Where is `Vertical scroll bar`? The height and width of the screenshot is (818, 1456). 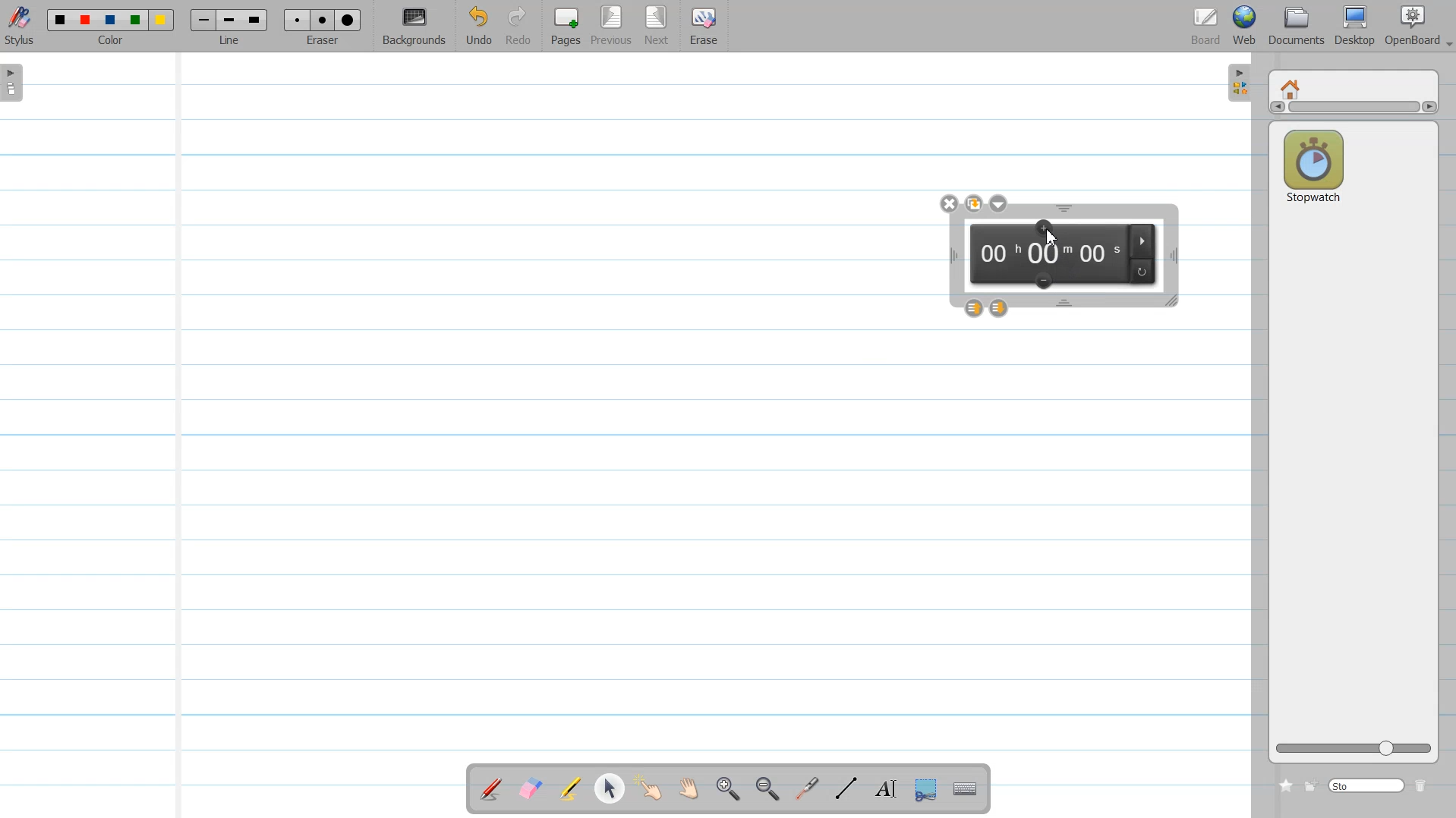
Vertical scroll bar is located at coordinates (1353, 109).